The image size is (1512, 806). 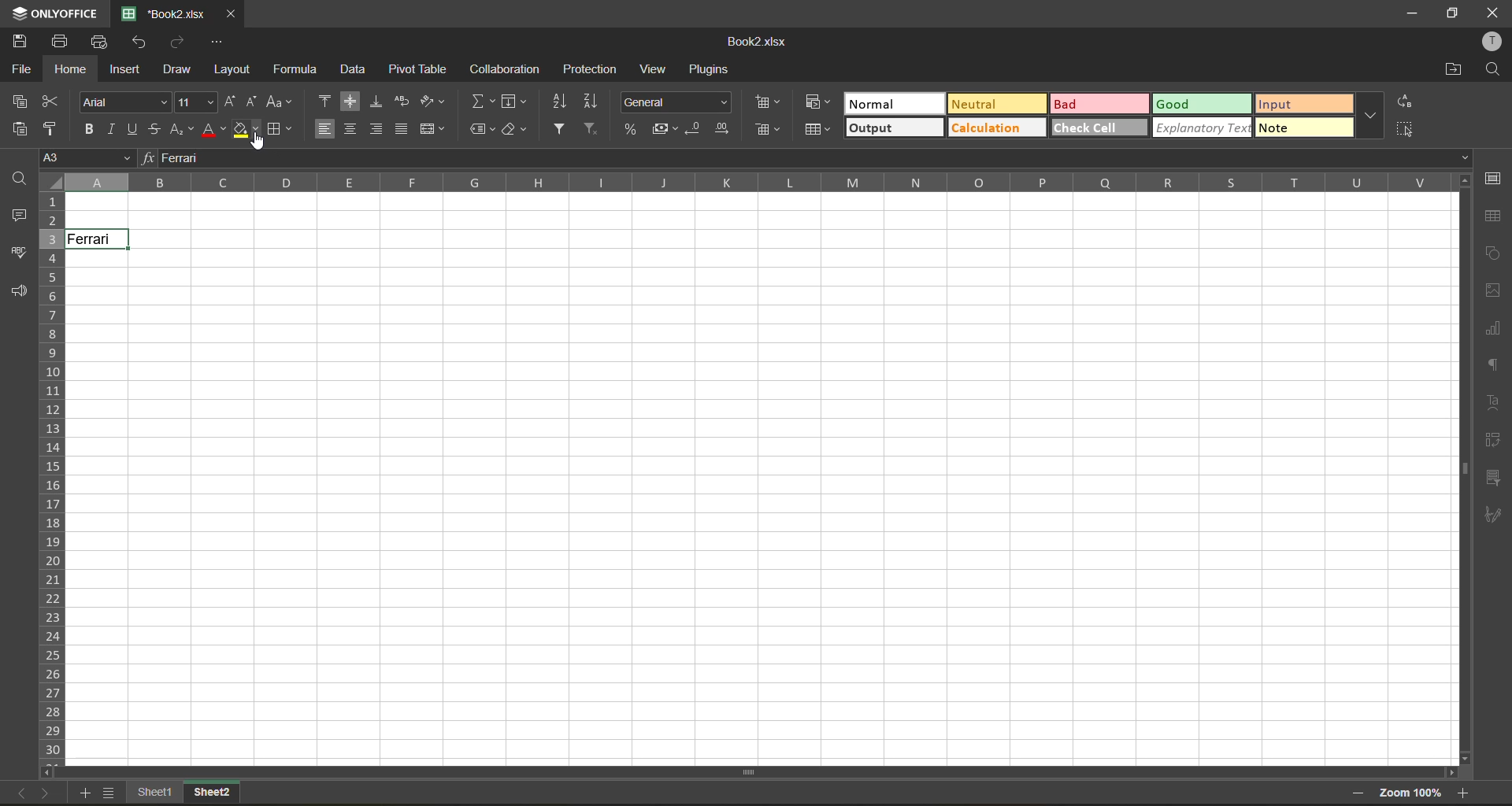 I want to click on data, so click(x=352, y=71).